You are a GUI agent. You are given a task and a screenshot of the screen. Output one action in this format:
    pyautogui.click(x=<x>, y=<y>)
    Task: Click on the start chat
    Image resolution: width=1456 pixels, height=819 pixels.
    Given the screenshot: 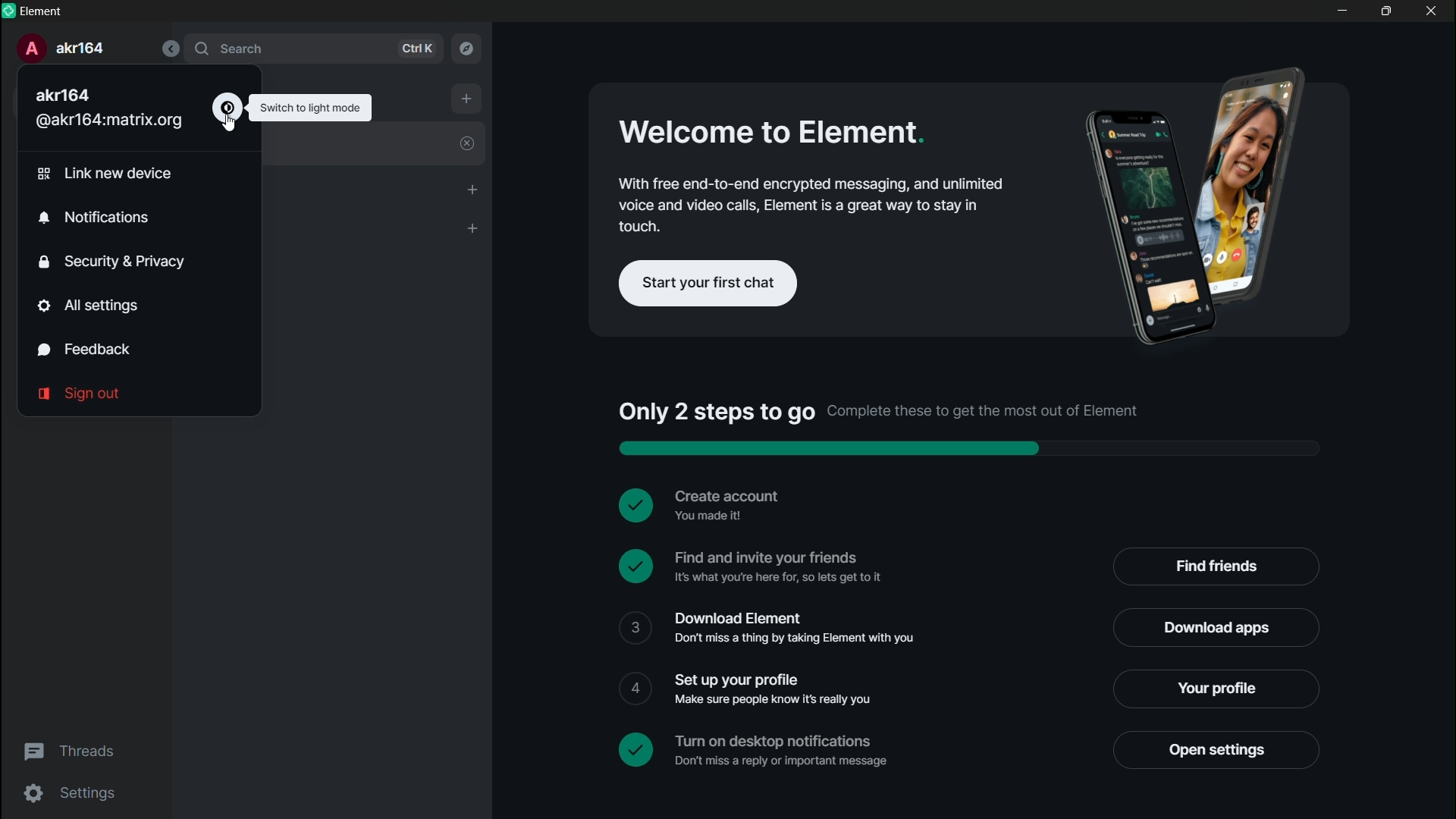 What is the action you would take?
    pyautogui.click(x=473, y=190)
    